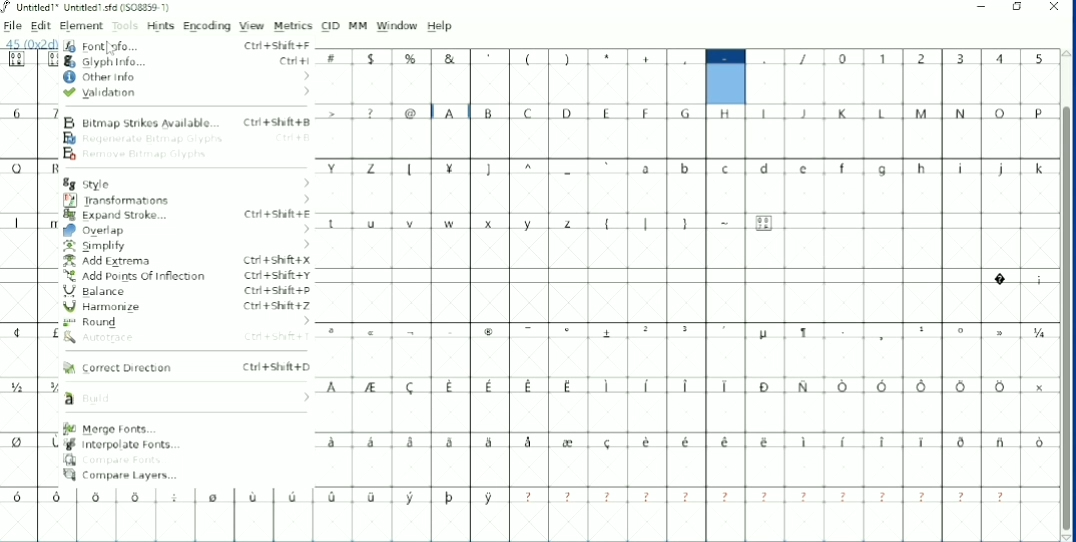  I want to click on Tools, so click(125, 27).